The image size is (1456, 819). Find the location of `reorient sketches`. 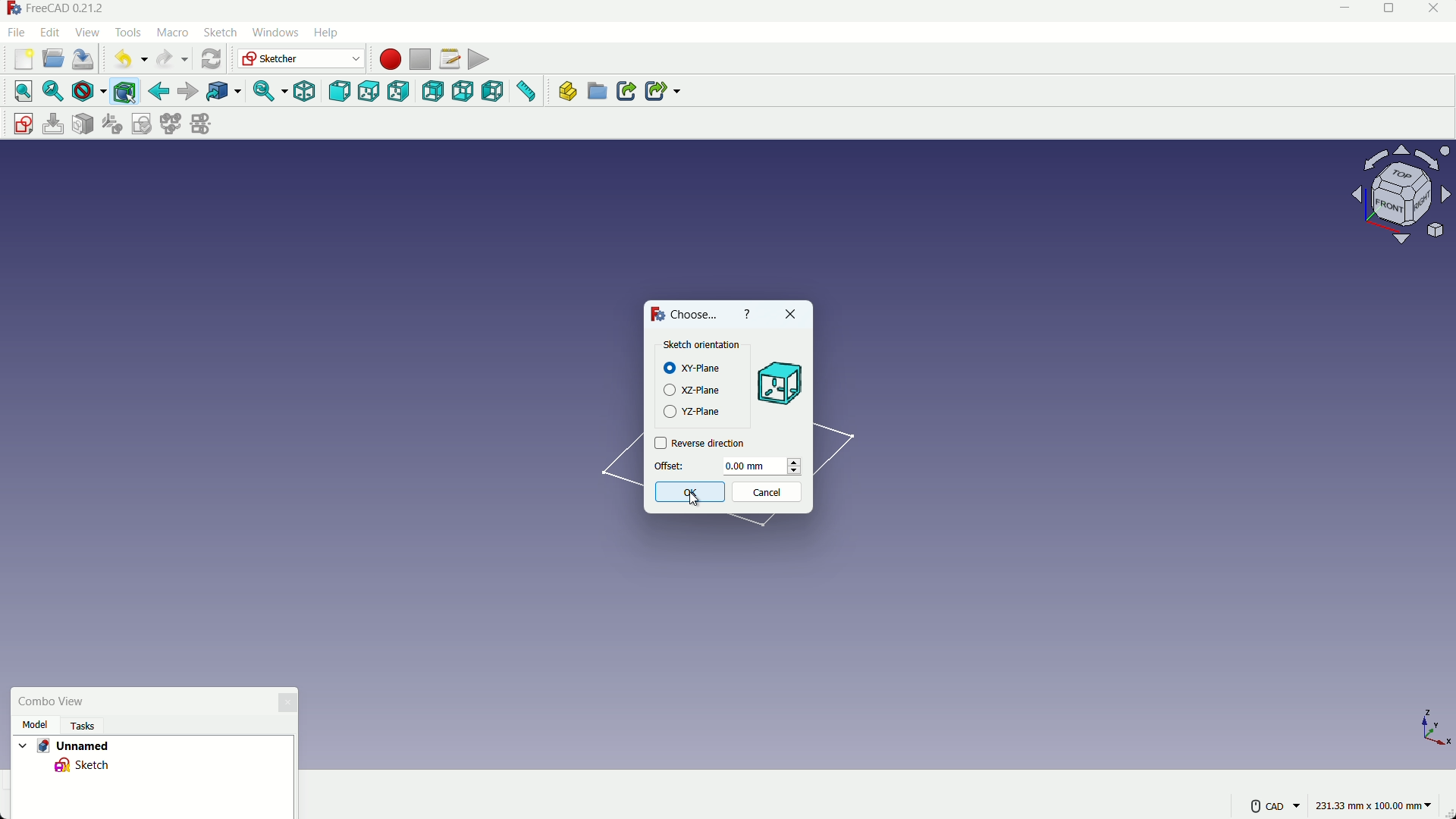

reorient sketches is located at coordinates (112, 124).